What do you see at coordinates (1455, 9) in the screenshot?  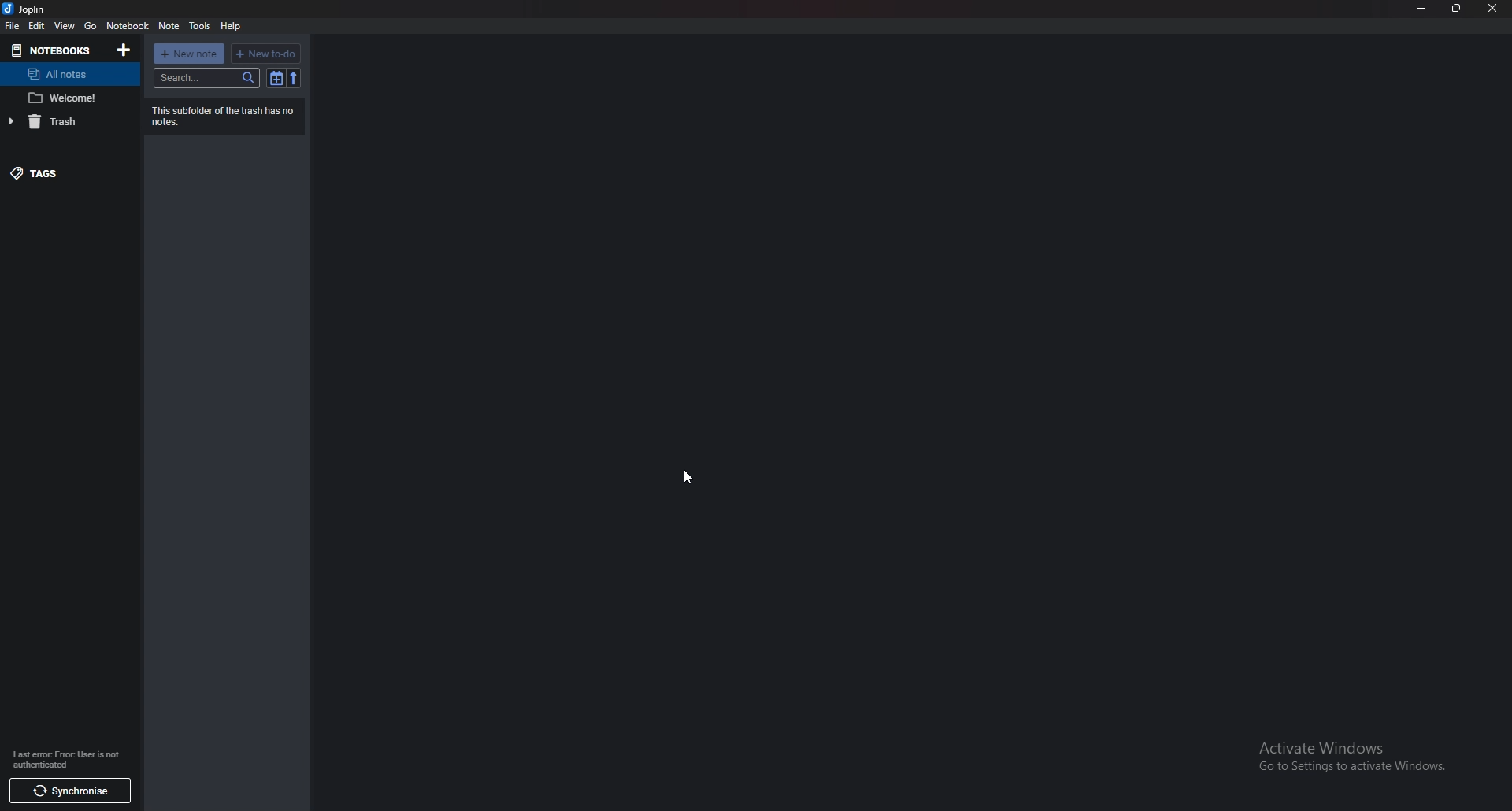 I see `resize` at bounding box center [1455, 9].